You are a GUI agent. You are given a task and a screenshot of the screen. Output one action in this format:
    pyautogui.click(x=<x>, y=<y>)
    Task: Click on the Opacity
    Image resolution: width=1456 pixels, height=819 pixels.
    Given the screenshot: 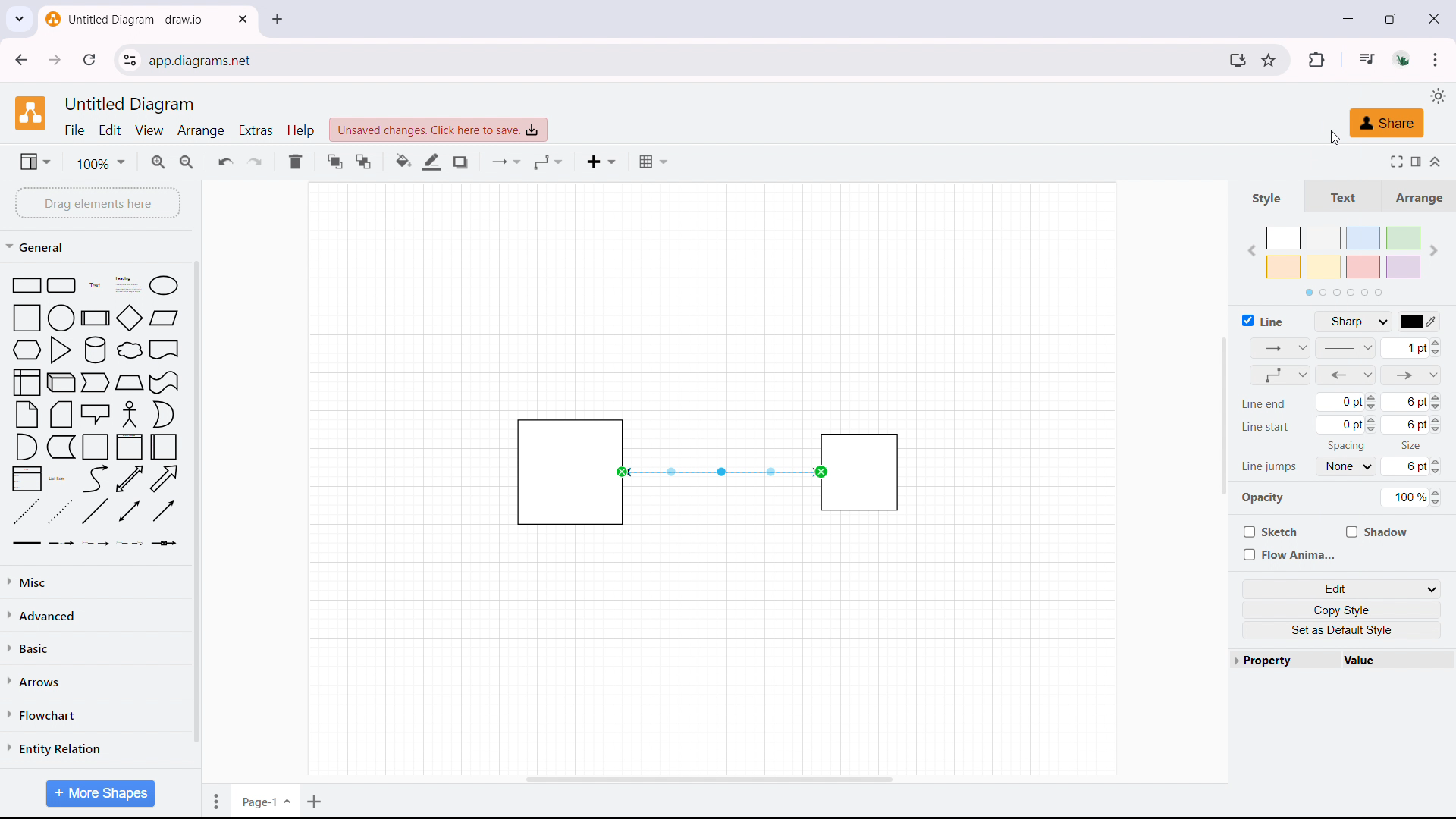 What is the action you would take?
    pyautogui.click(x=1263, y=498)
    